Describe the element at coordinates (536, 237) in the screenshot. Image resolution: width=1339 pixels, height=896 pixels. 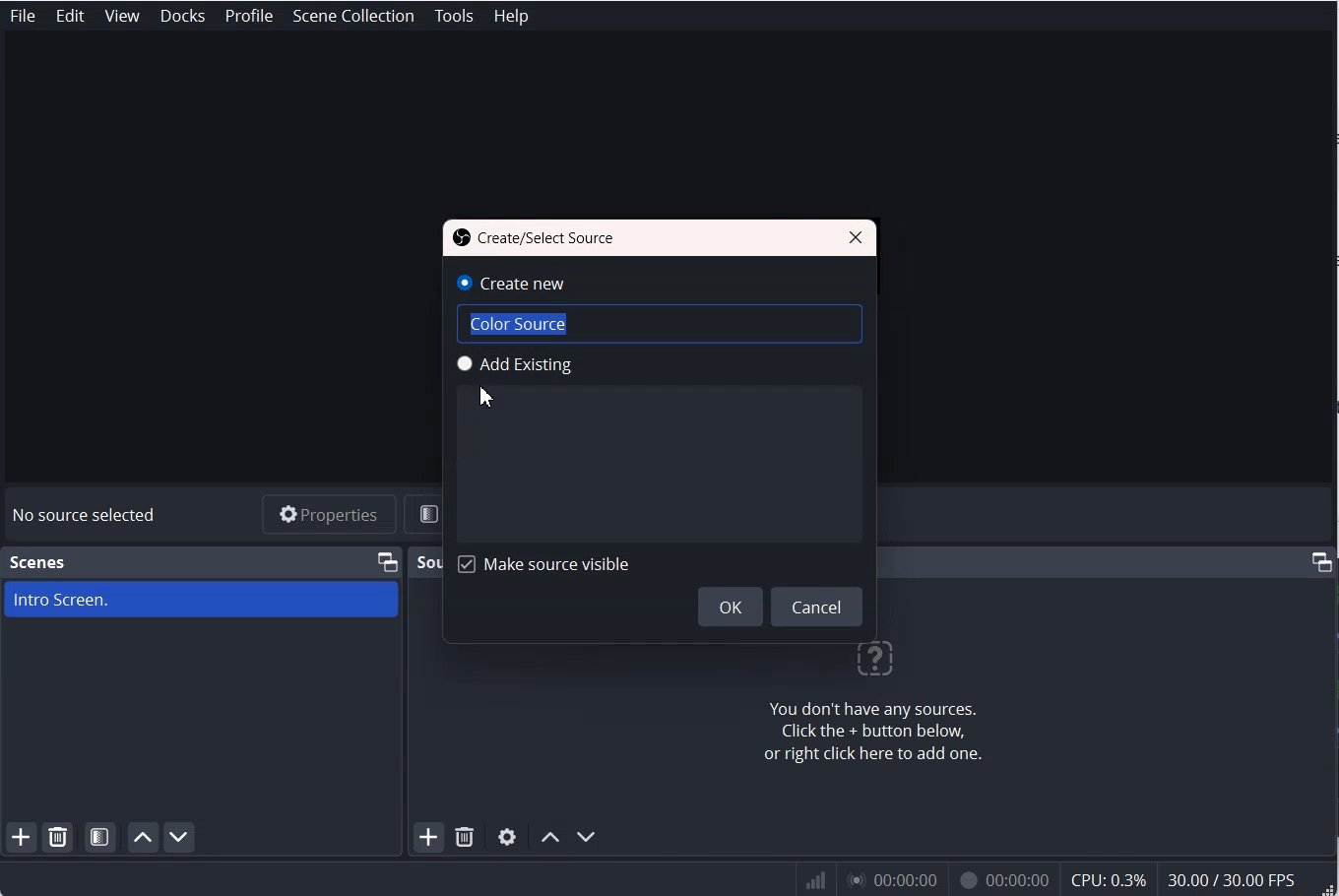
I see `Text` at that location.